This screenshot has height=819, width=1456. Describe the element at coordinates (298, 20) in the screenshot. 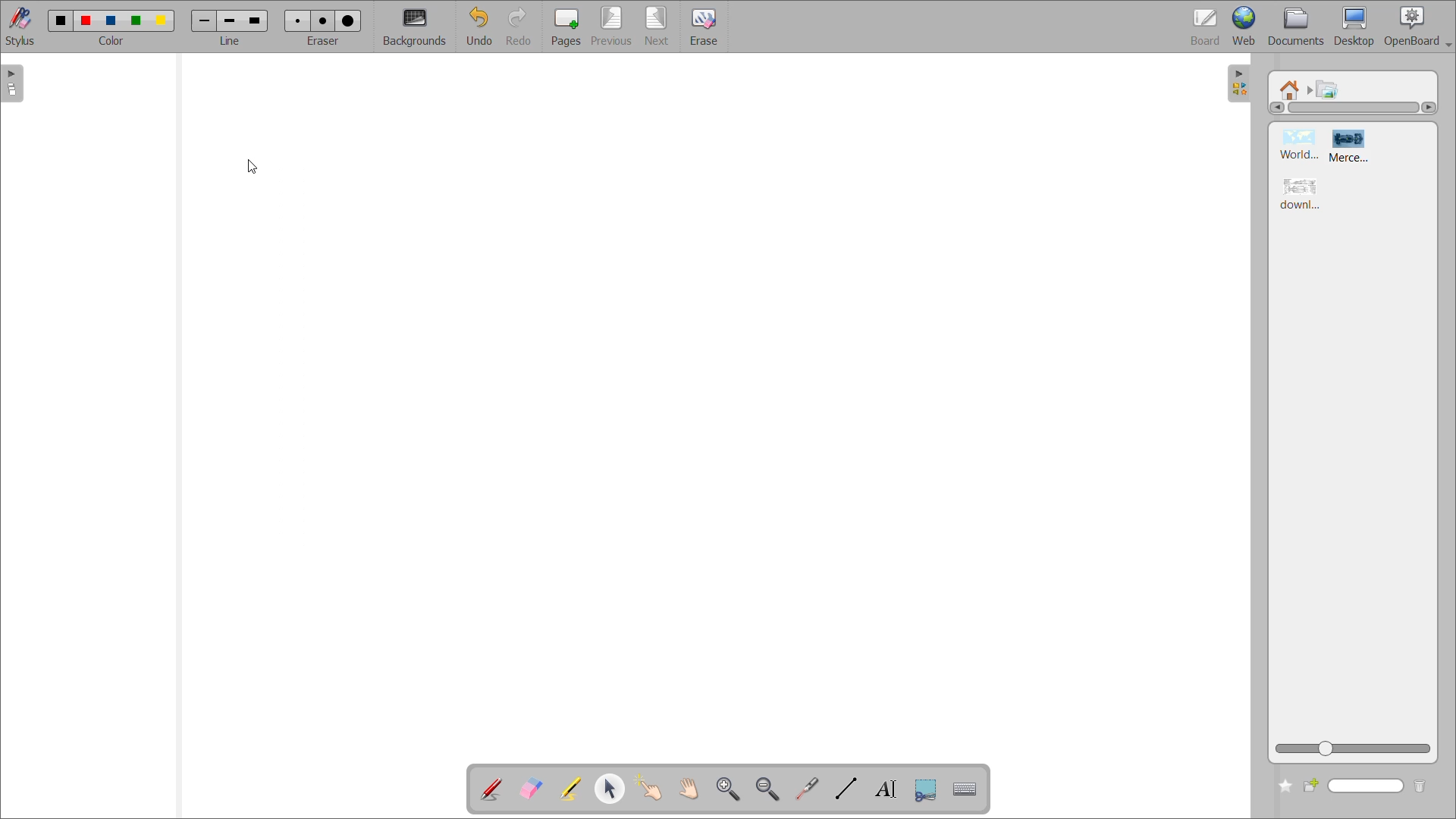

I see `eraser 1` at that location.